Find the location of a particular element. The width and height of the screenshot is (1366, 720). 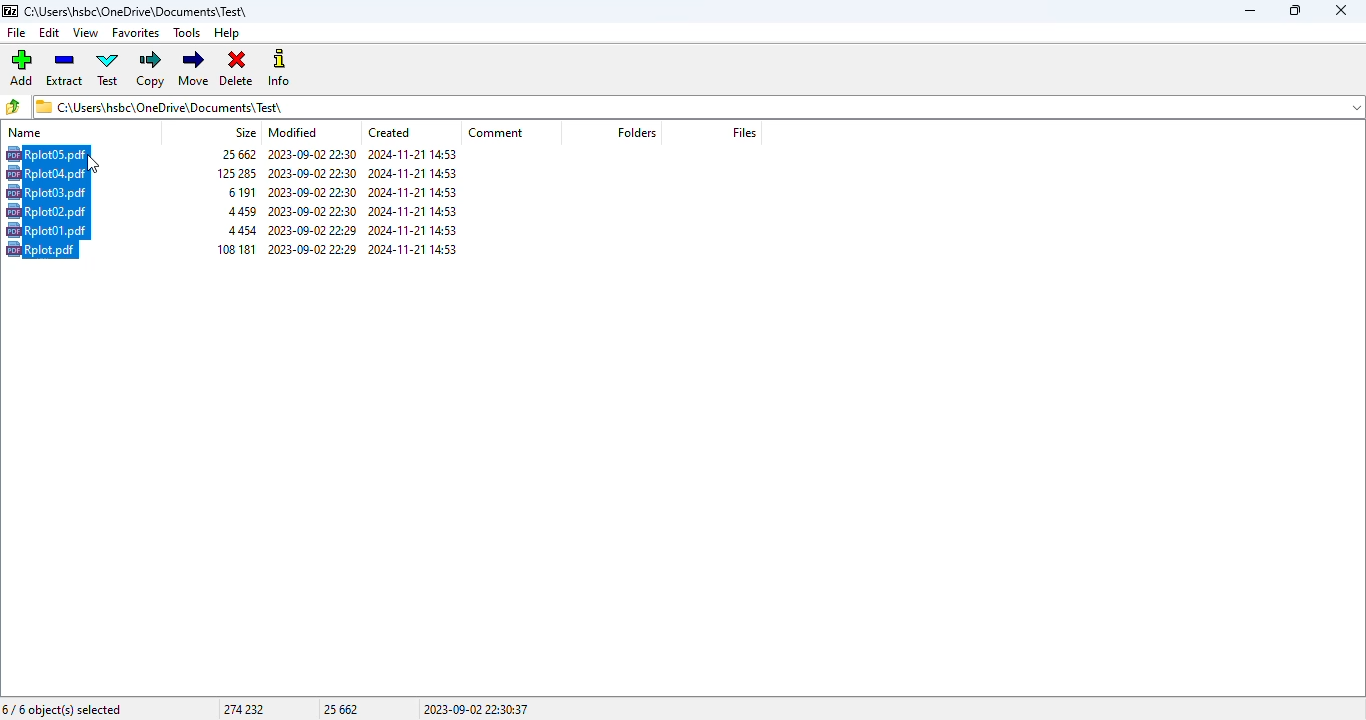

Hotkey (CTRL+A) on selected file is located at coordinates (48, 154).